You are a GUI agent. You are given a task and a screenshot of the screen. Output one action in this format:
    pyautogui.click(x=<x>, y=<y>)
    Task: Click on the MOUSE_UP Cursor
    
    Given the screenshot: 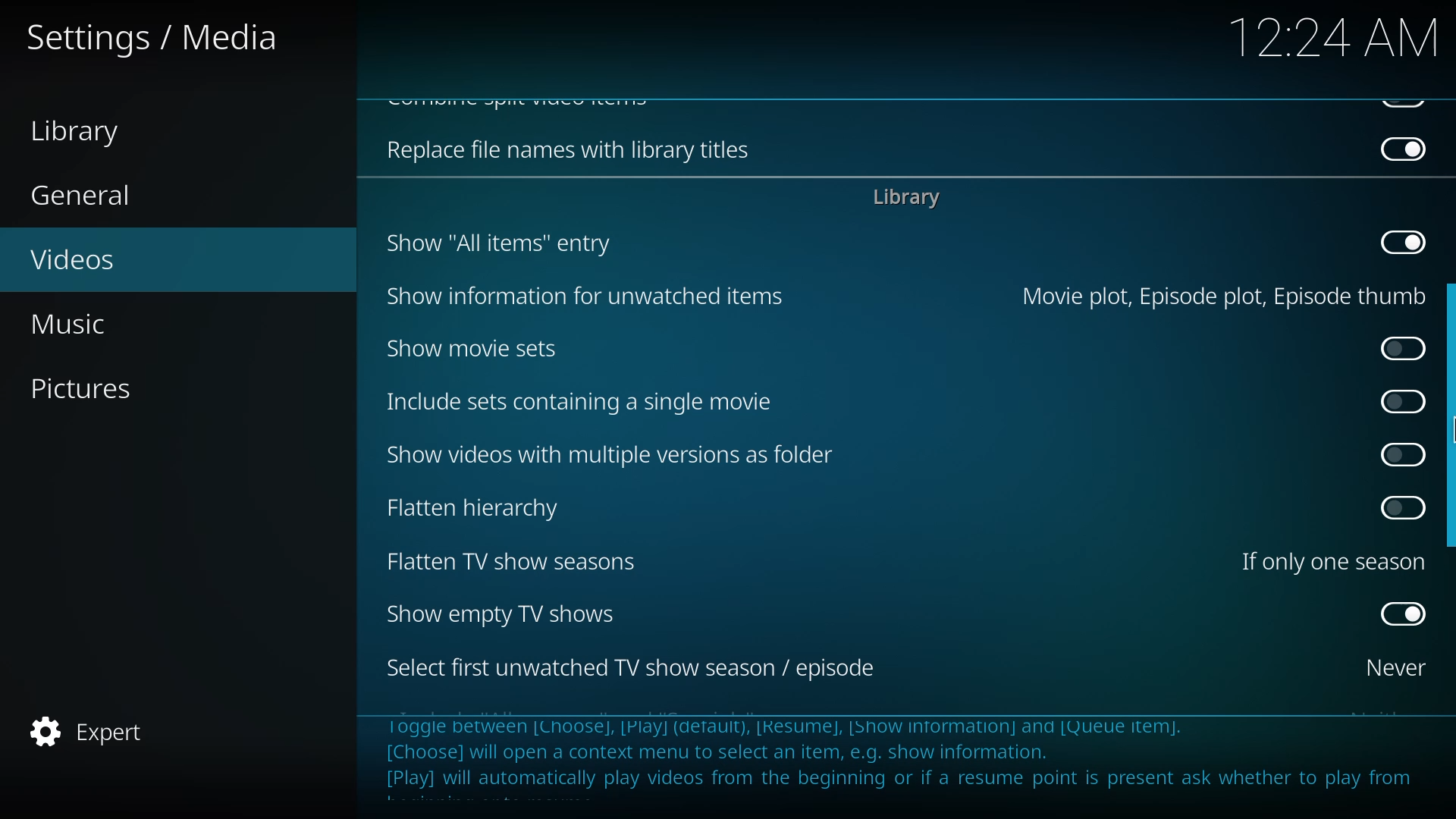 What is the action you would take?
    pyautogui.click(x=1448, y=422)
    